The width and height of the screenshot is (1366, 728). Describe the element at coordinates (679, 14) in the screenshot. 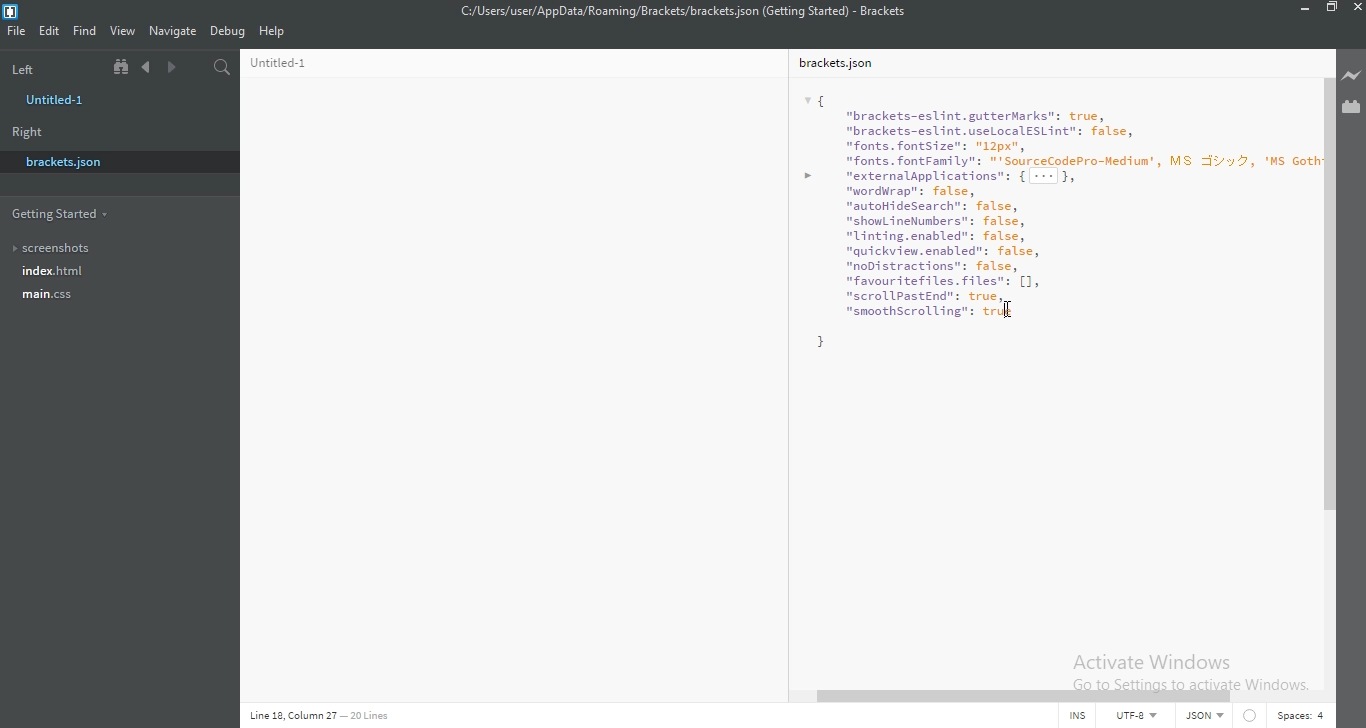

I see `File name` at that location.